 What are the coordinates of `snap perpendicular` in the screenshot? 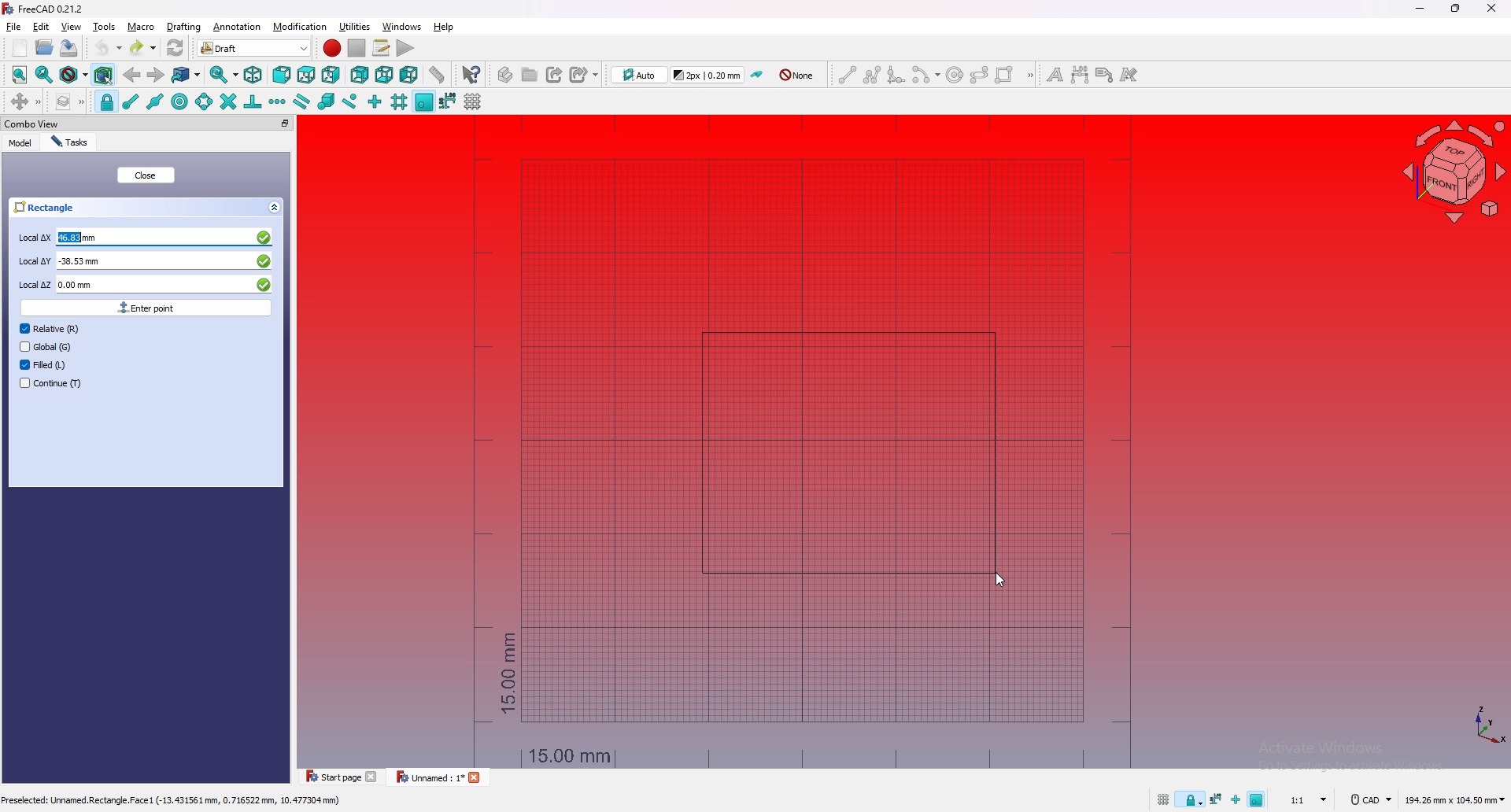 It's located at (253, 102).